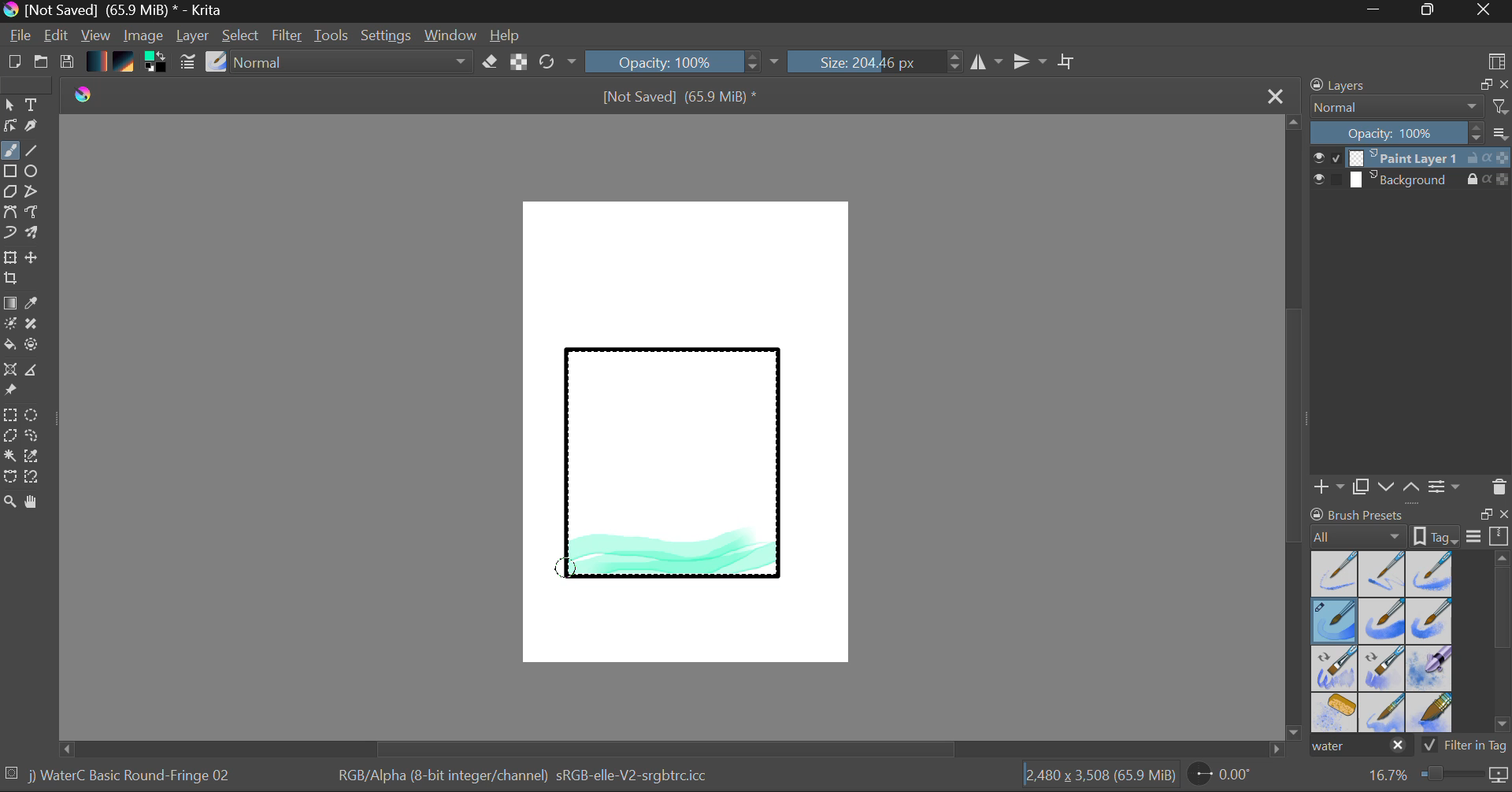  Describe the element at coordinates (1496, 60) in the screenshot. I see `Choose Workspace` at that location.